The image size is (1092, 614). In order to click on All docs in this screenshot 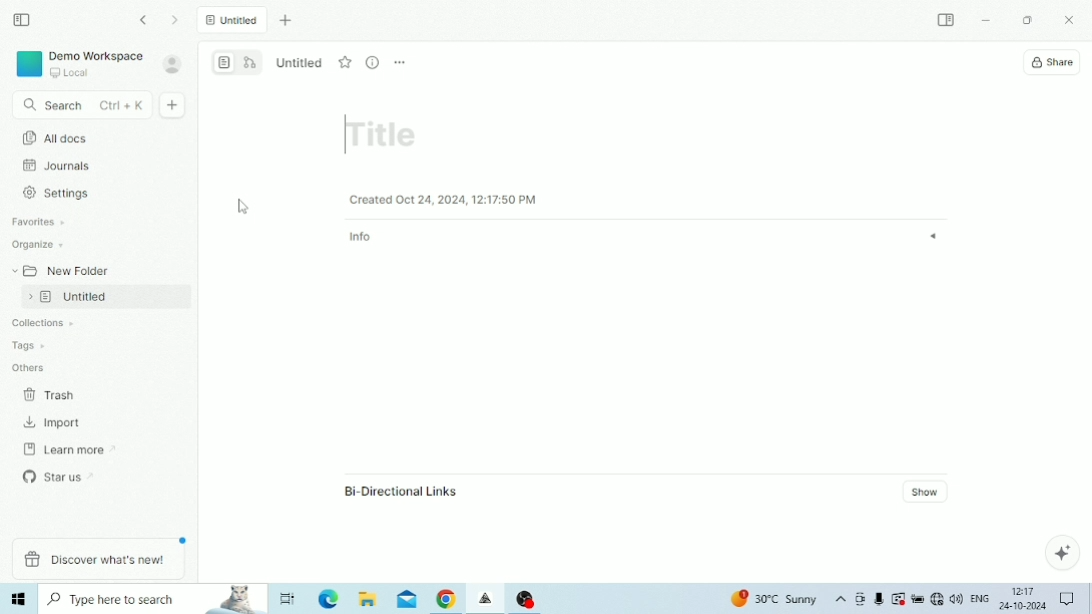, I will do `click(252, 133)`.